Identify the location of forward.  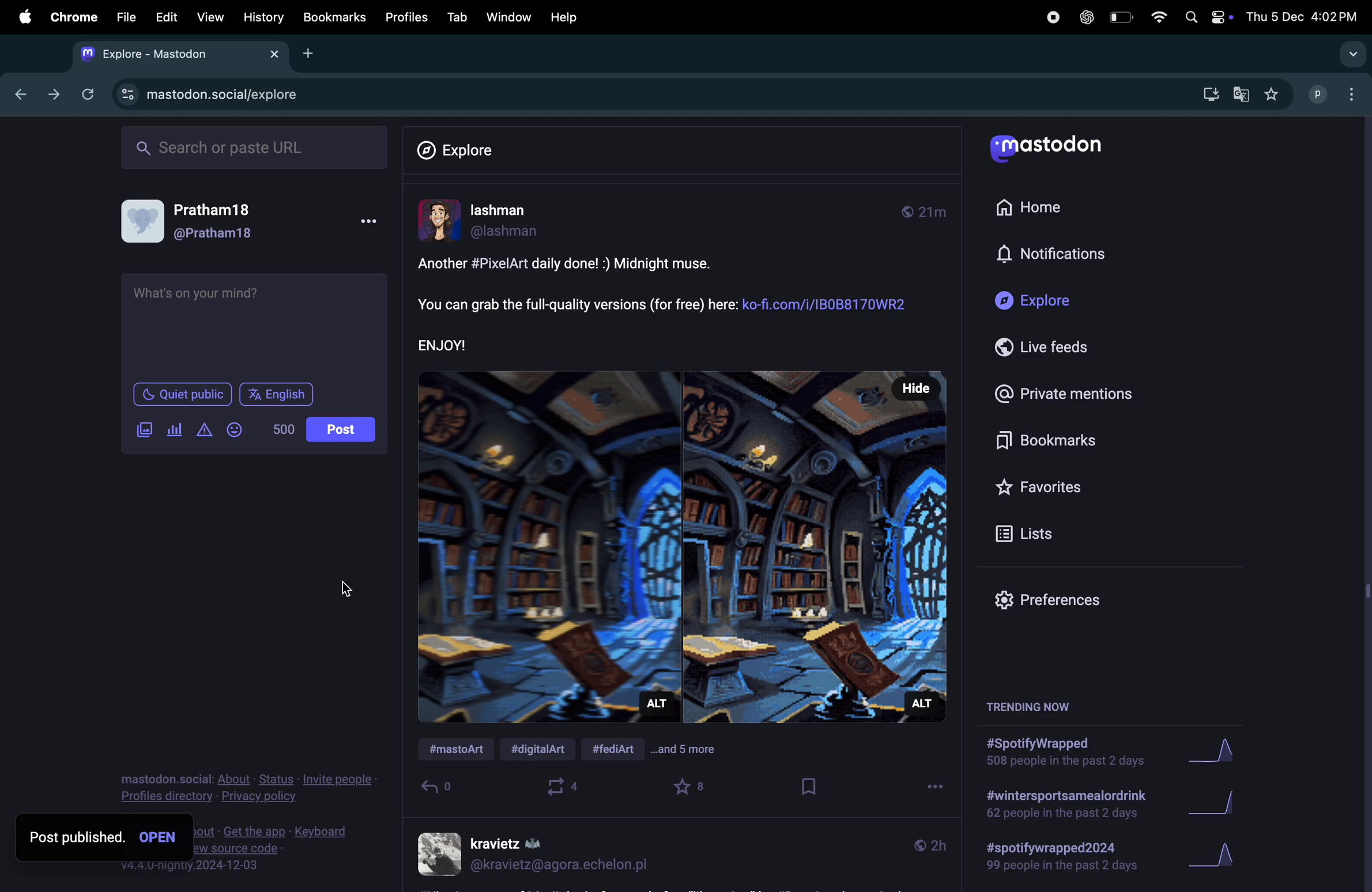
(52, 95).